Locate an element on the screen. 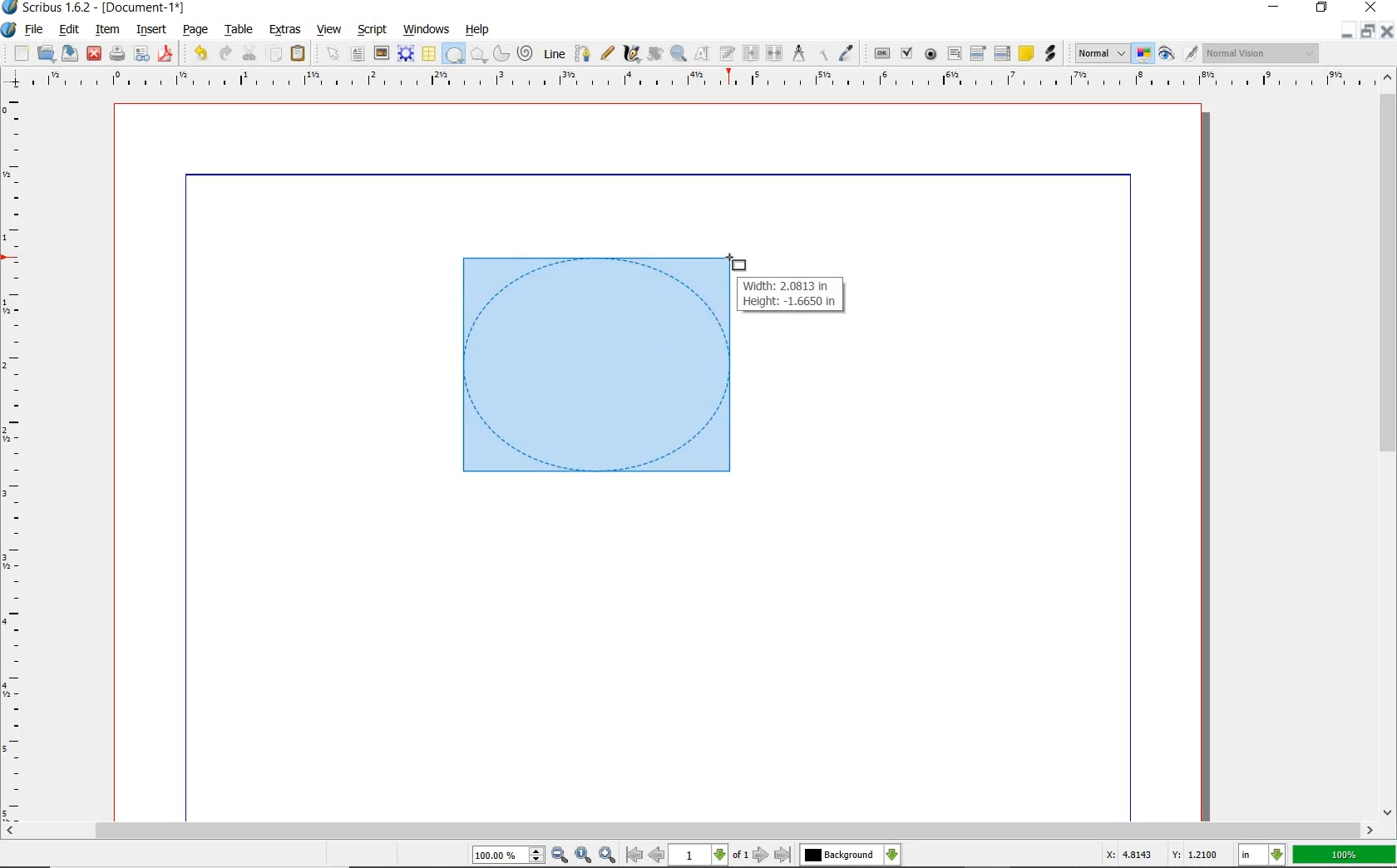 This screenshot has height=868, width=1397. PDF COMBO BOX is located at coordinates (977, 52).